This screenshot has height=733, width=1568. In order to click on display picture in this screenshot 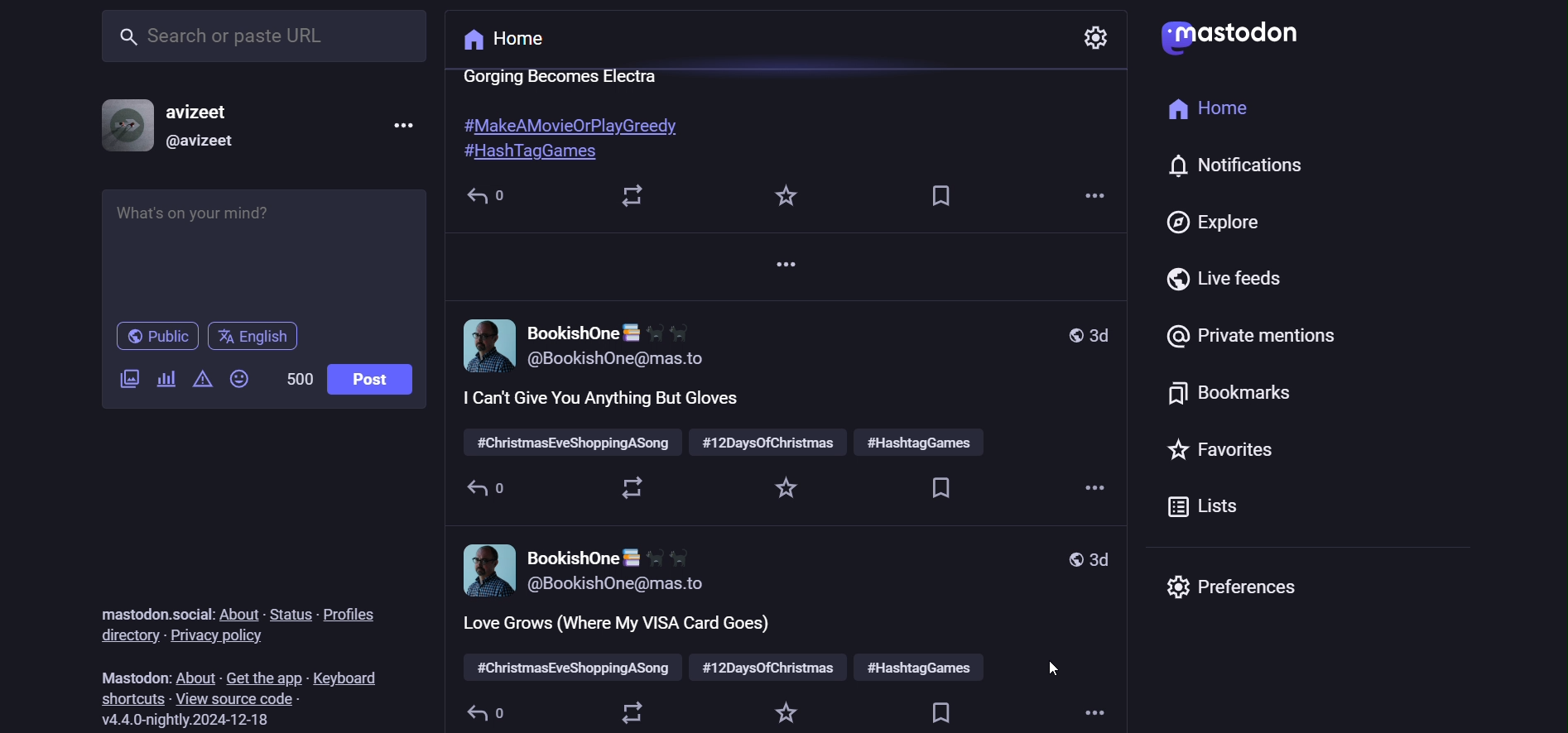, I will do `click(485, 347)`.